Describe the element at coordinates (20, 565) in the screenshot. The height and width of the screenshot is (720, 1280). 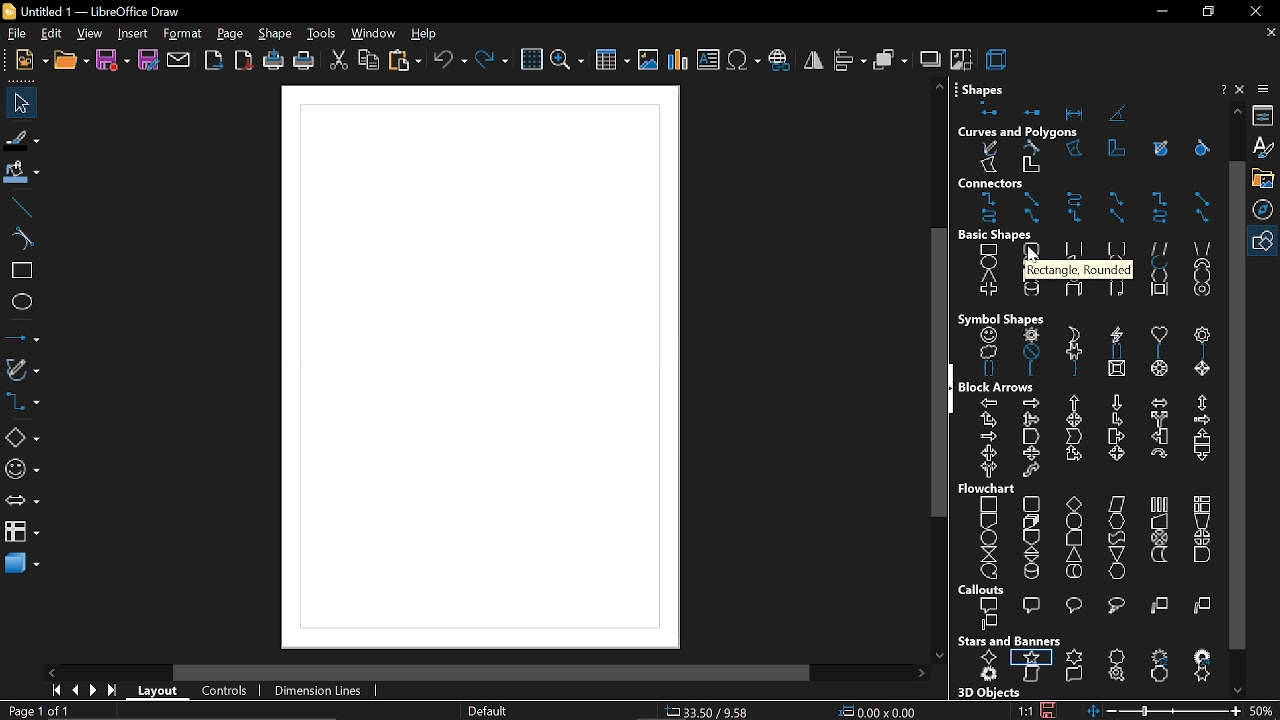
I see `3d shapes` at that location.